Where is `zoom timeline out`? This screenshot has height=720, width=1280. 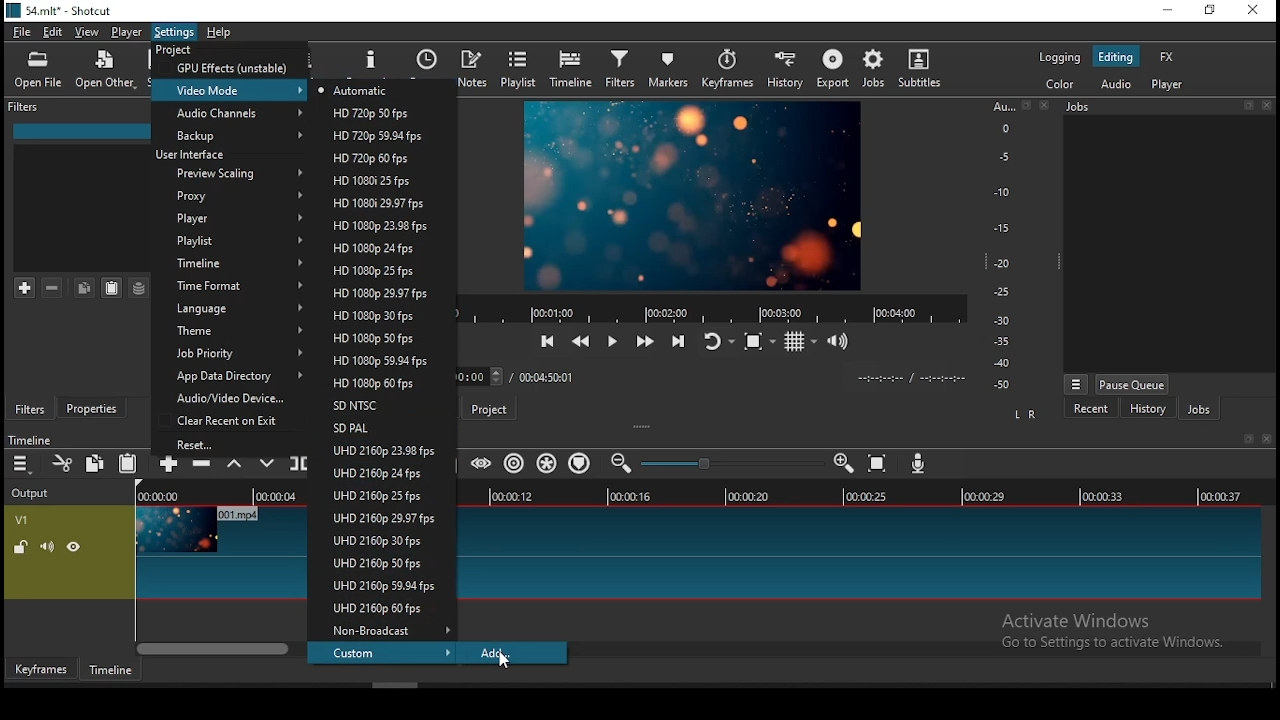 zoom timeline out is located at coordinates (846, 463).